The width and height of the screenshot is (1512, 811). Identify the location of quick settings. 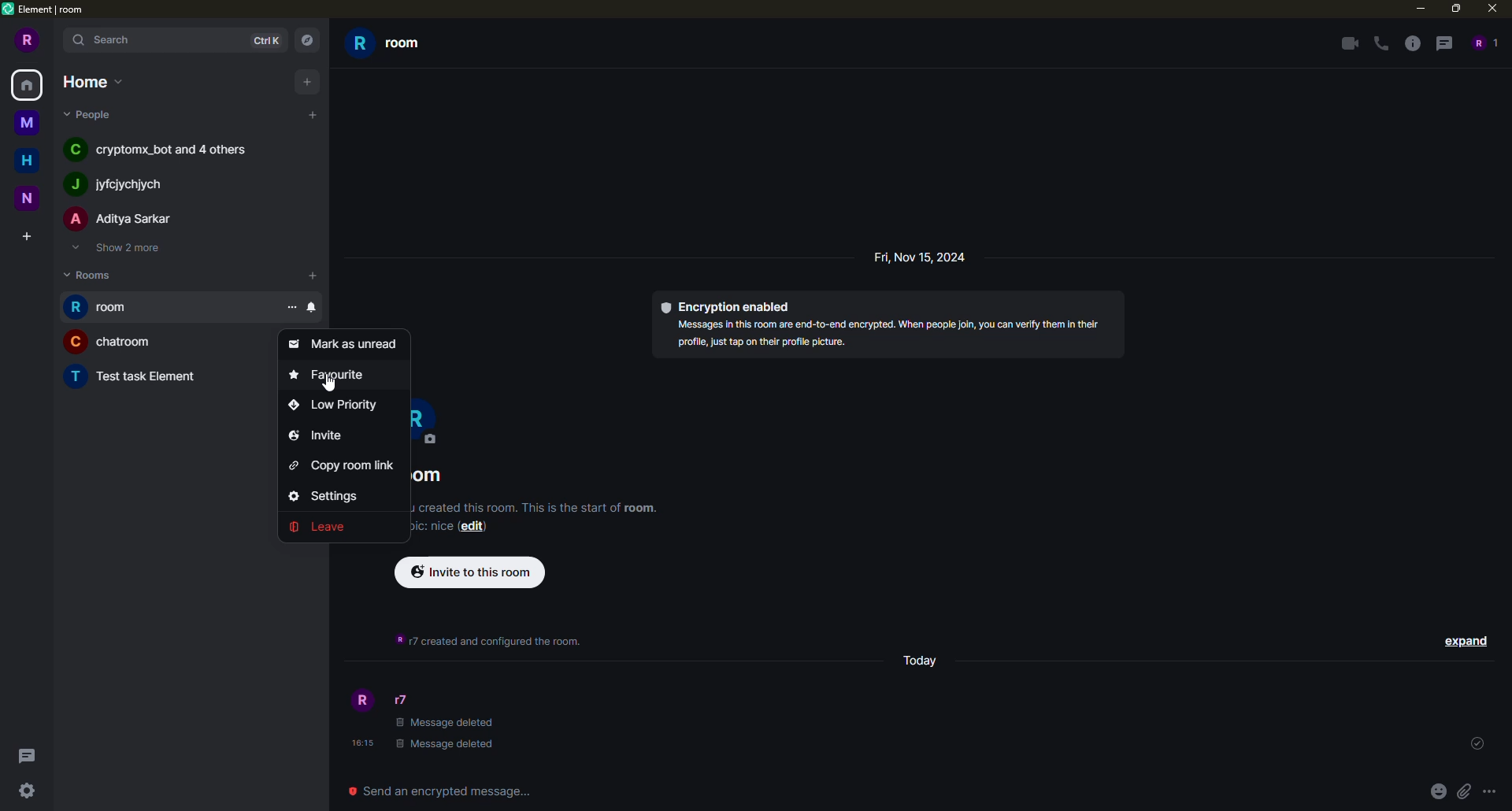
(27, 792).